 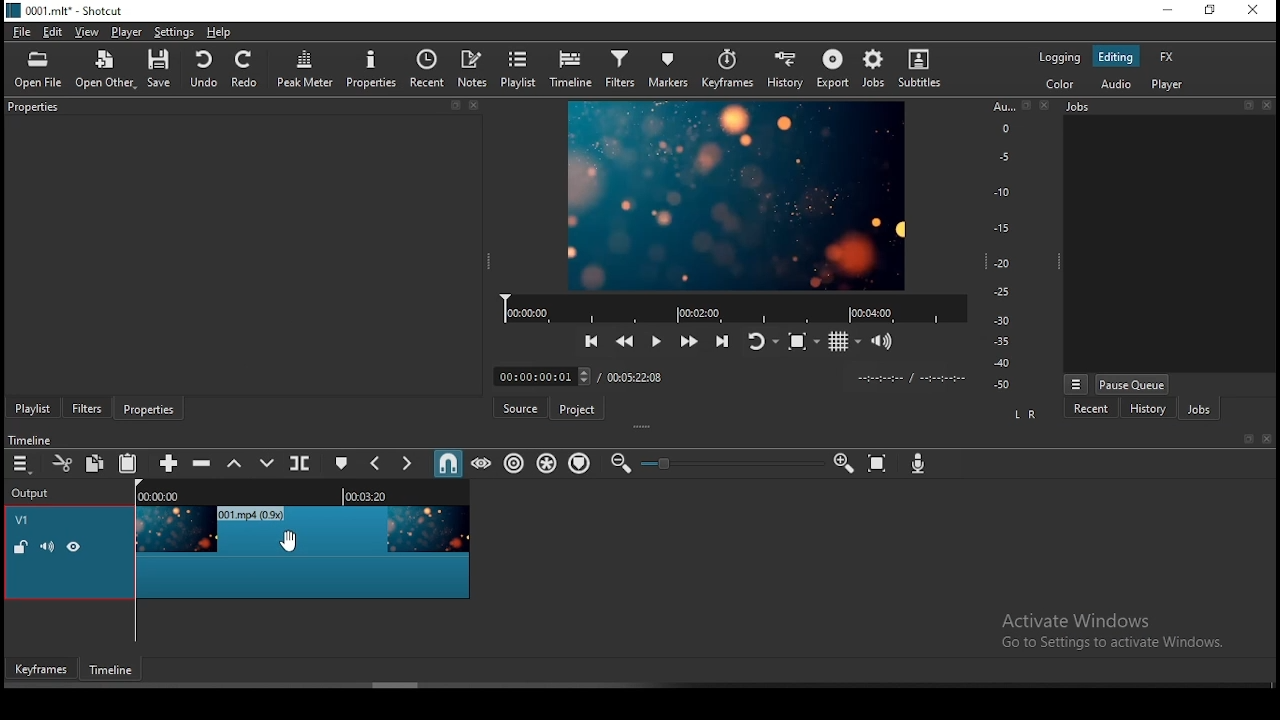 I want to click on minimize, so click(x=1171, y=10).